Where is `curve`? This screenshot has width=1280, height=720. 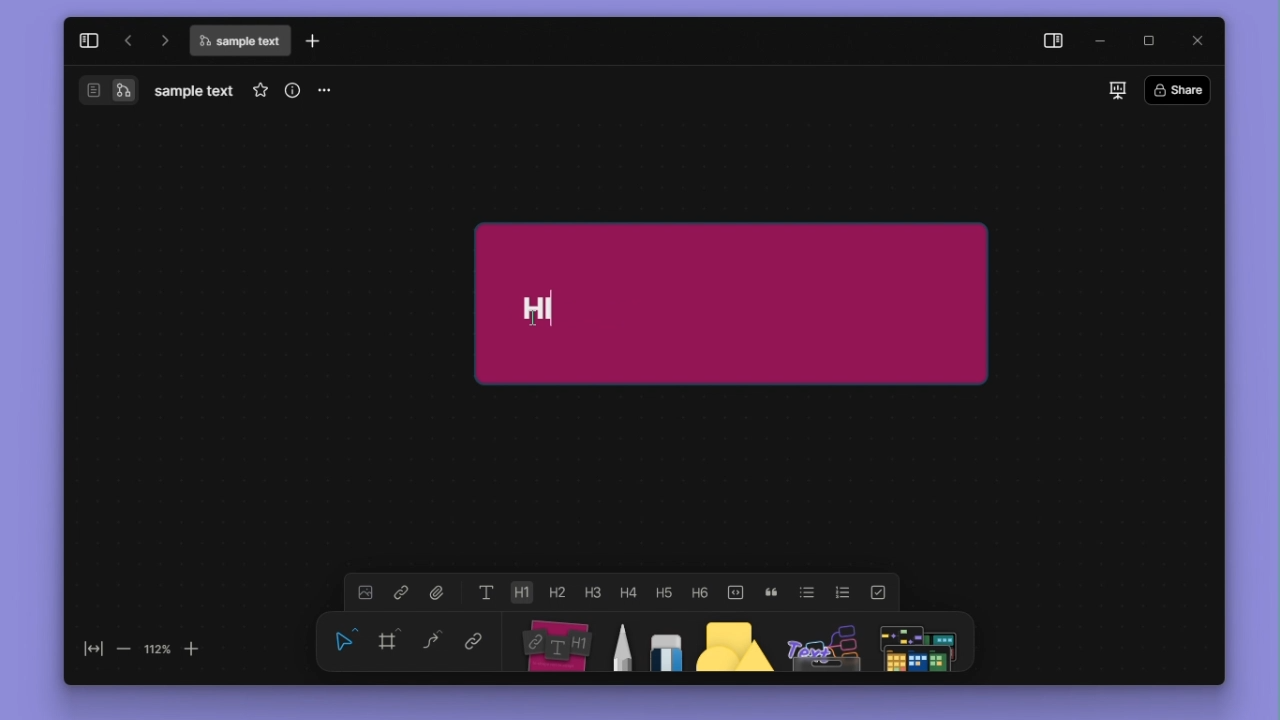 curve is located at coordinates (432, 639).